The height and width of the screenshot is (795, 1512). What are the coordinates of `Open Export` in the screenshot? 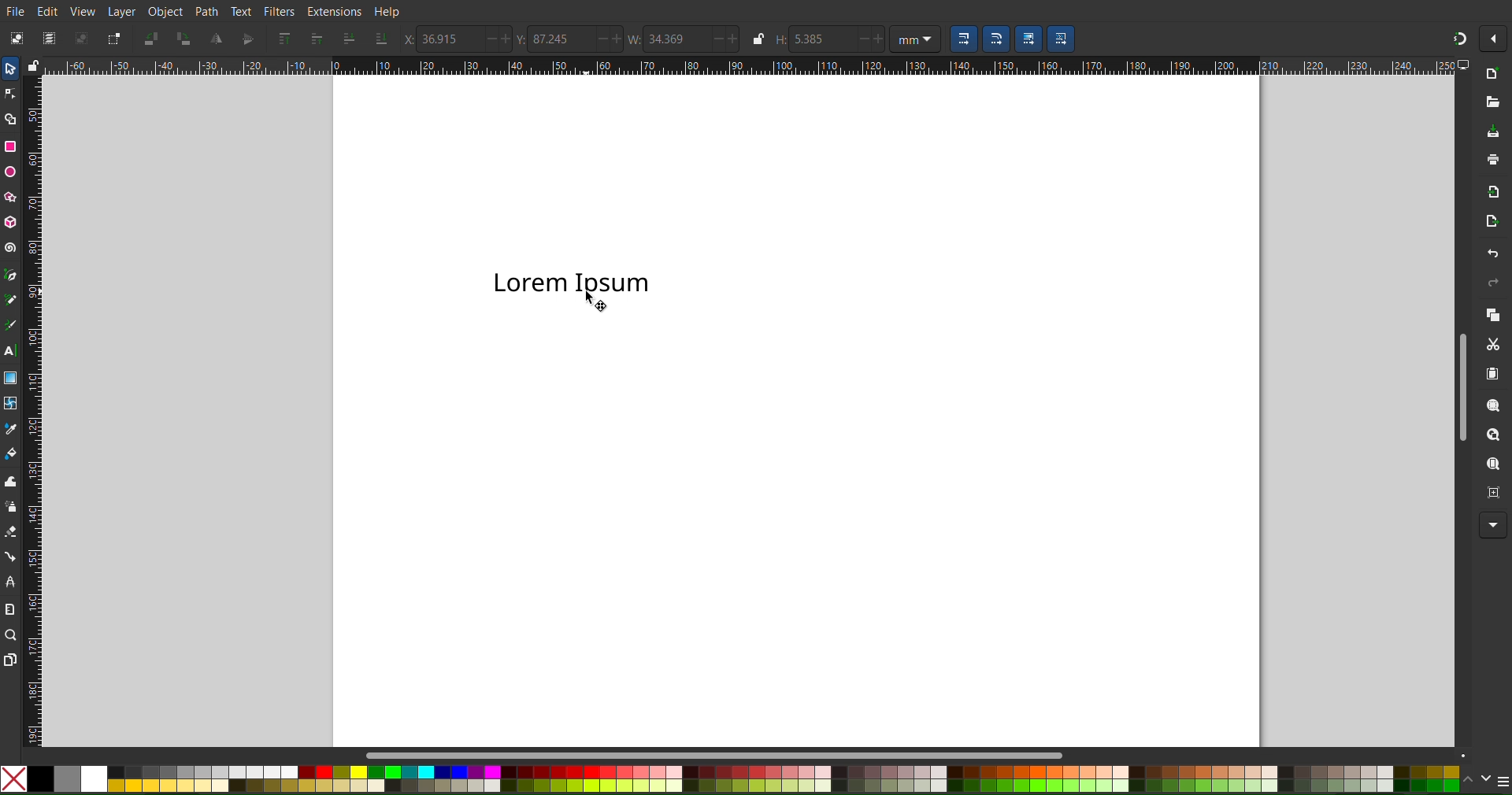 It's located at (1489, 223).